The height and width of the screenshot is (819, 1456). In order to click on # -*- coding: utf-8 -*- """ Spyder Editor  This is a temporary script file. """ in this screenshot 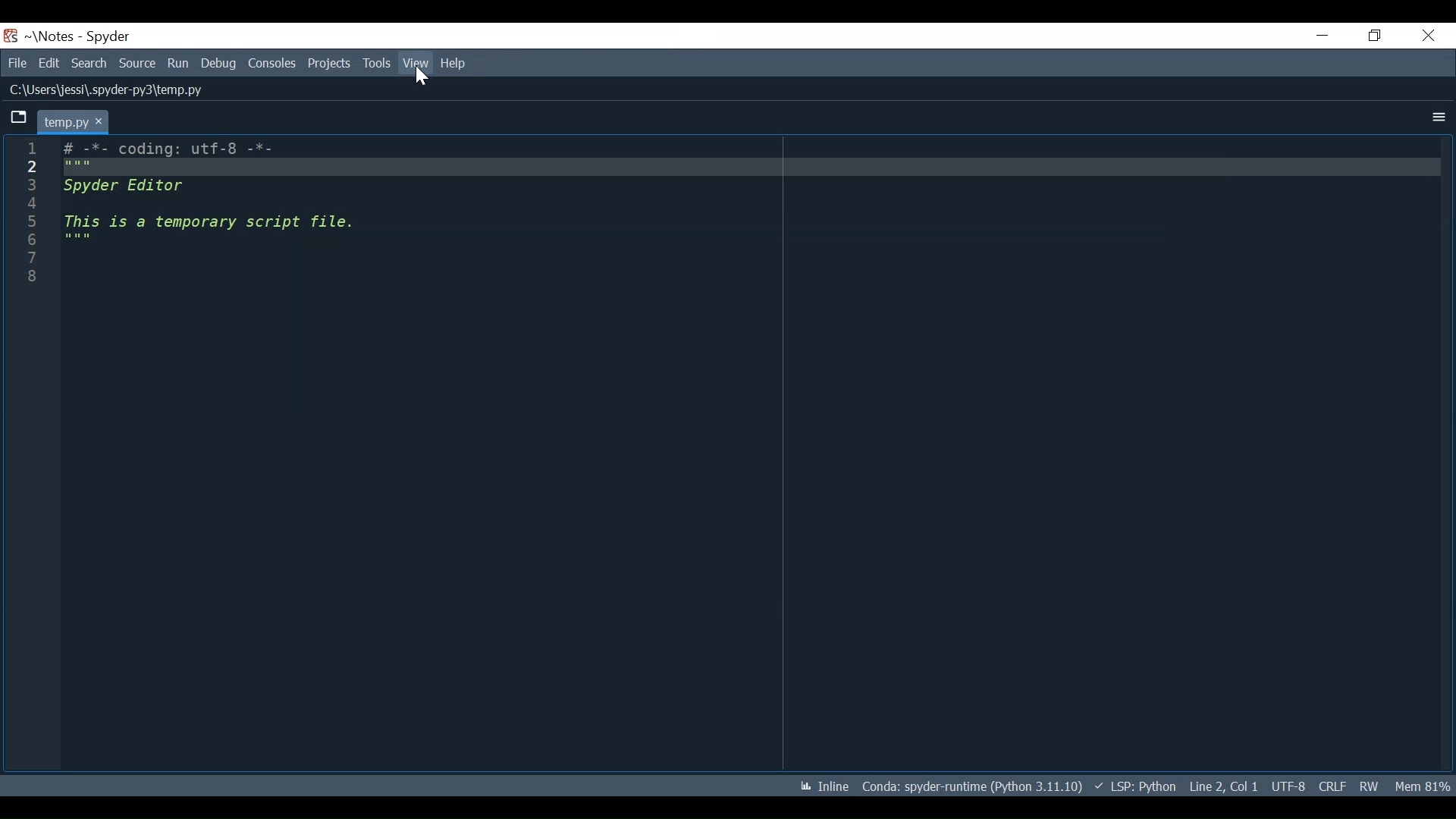, I will do `click(751, 215)`.